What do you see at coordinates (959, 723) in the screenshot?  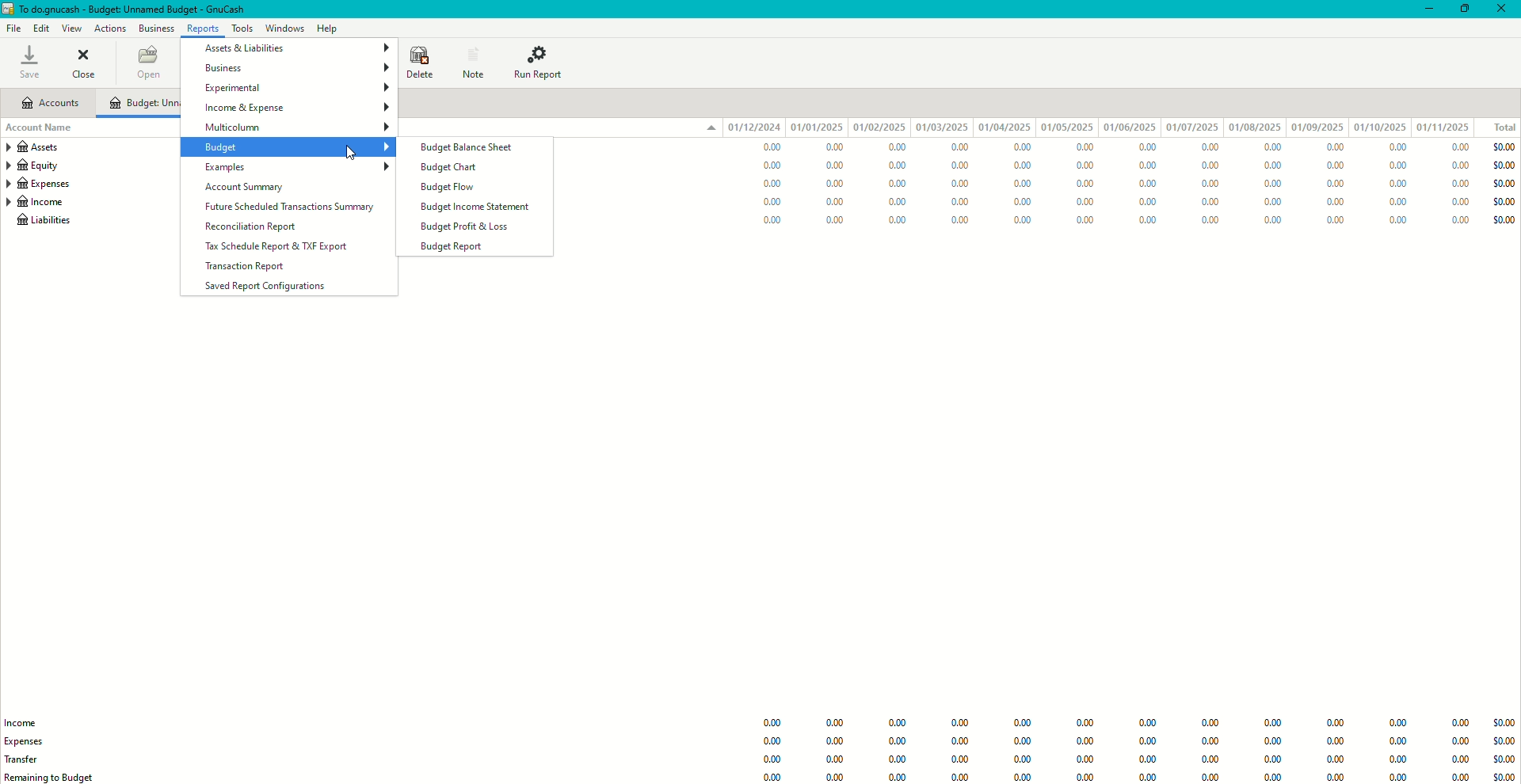 I see `0.00` at bounding box center [959, 723].